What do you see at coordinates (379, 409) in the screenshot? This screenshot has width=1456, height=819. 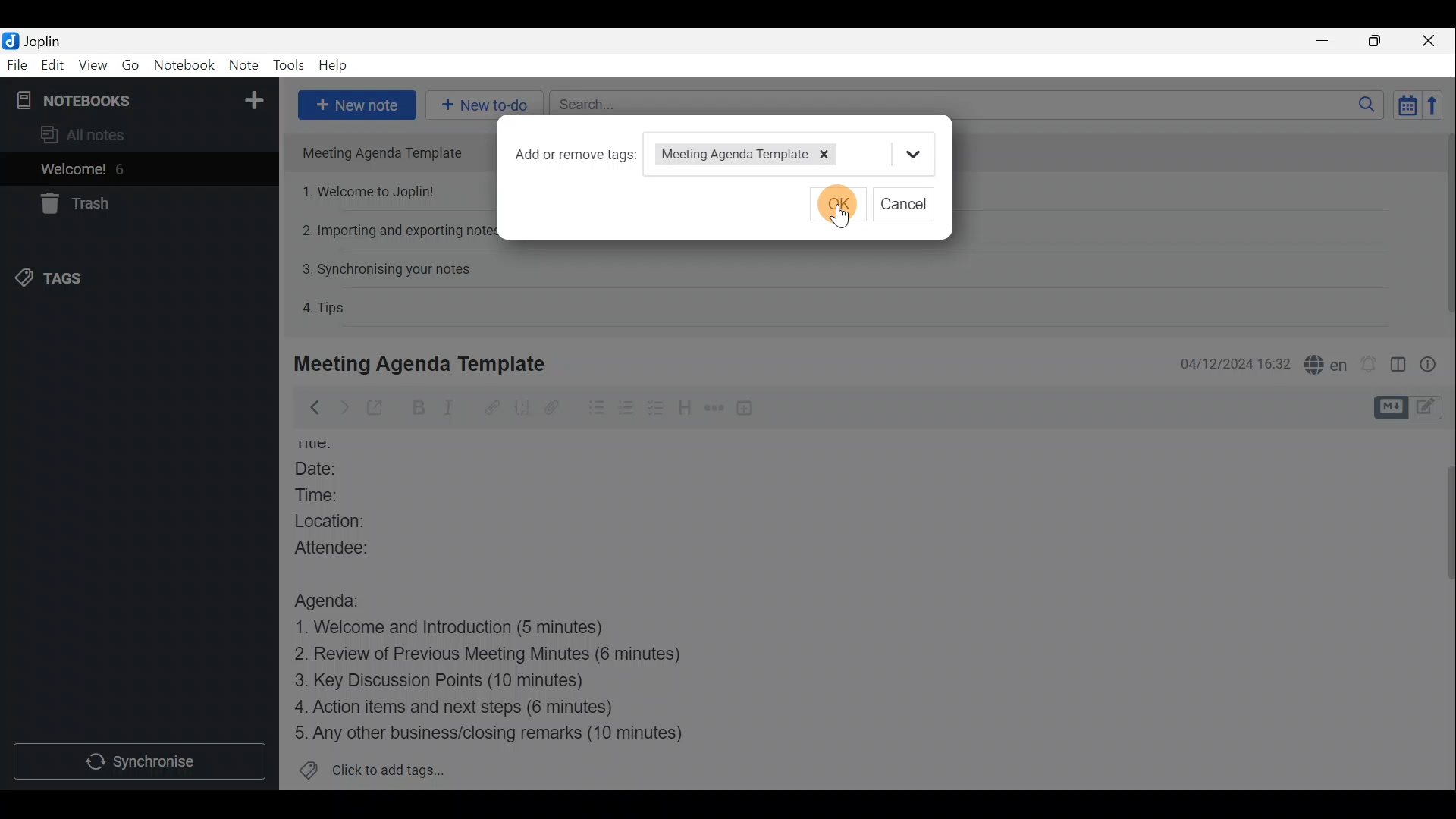 I see `Toggle external editing` at bounding box center [379, 409].